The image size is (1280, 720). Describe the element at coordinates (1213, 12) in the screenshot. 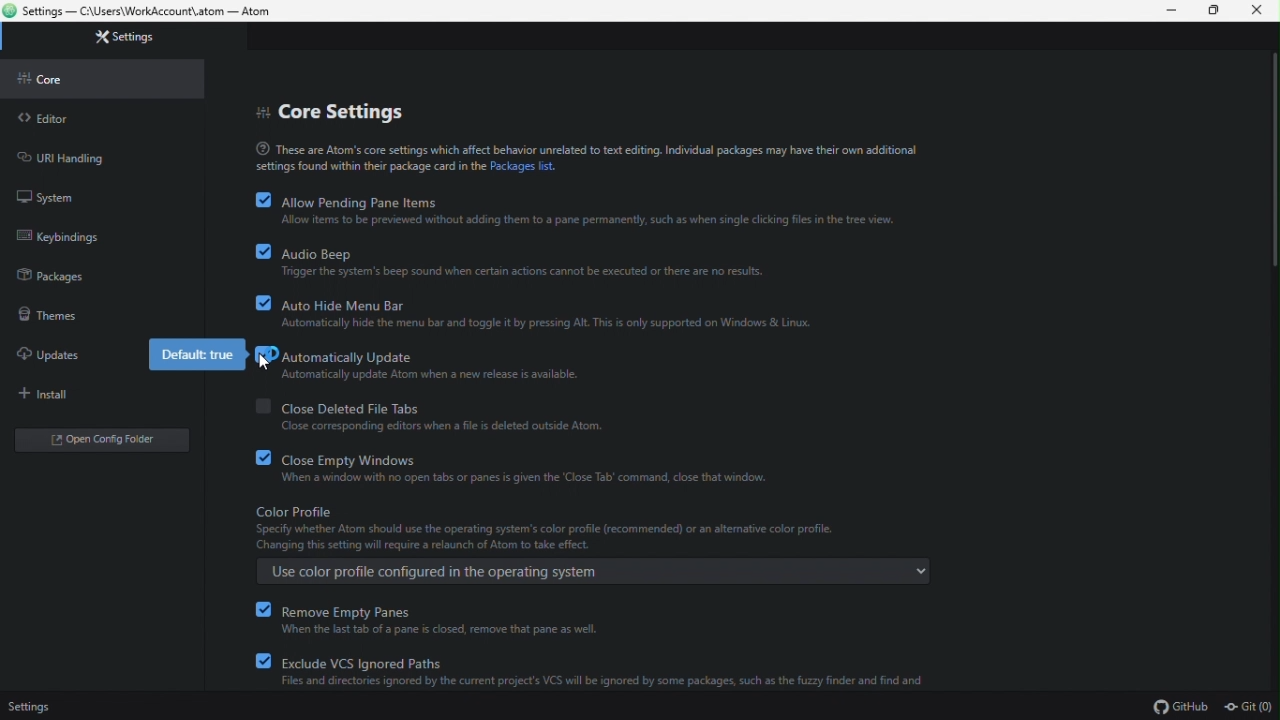

I see `Maximize` at that location.